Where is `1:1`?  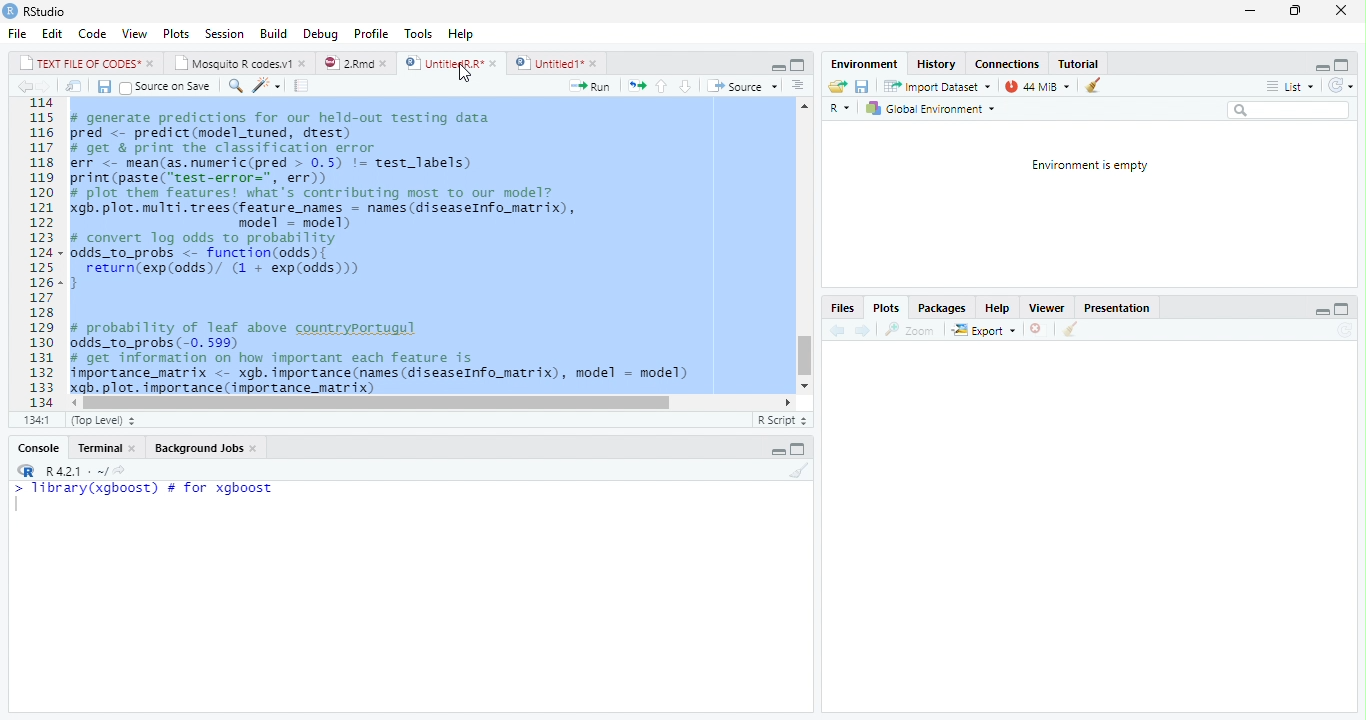 1:1 is located at coordinates (38, 419).